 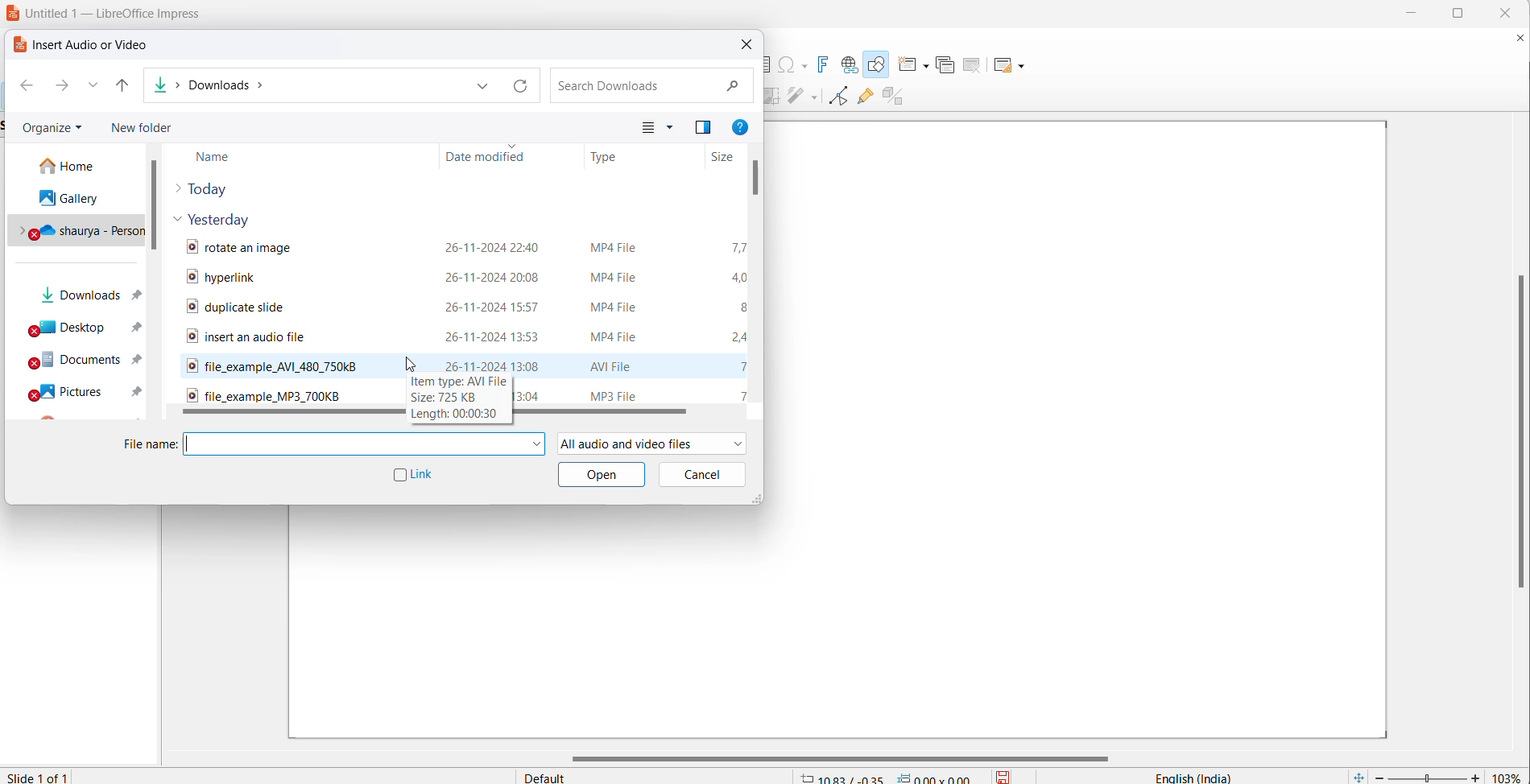 What do you see at coordinates (1507, 13) in the screenshot?
I see `close` at bounding box center [1507, 13].